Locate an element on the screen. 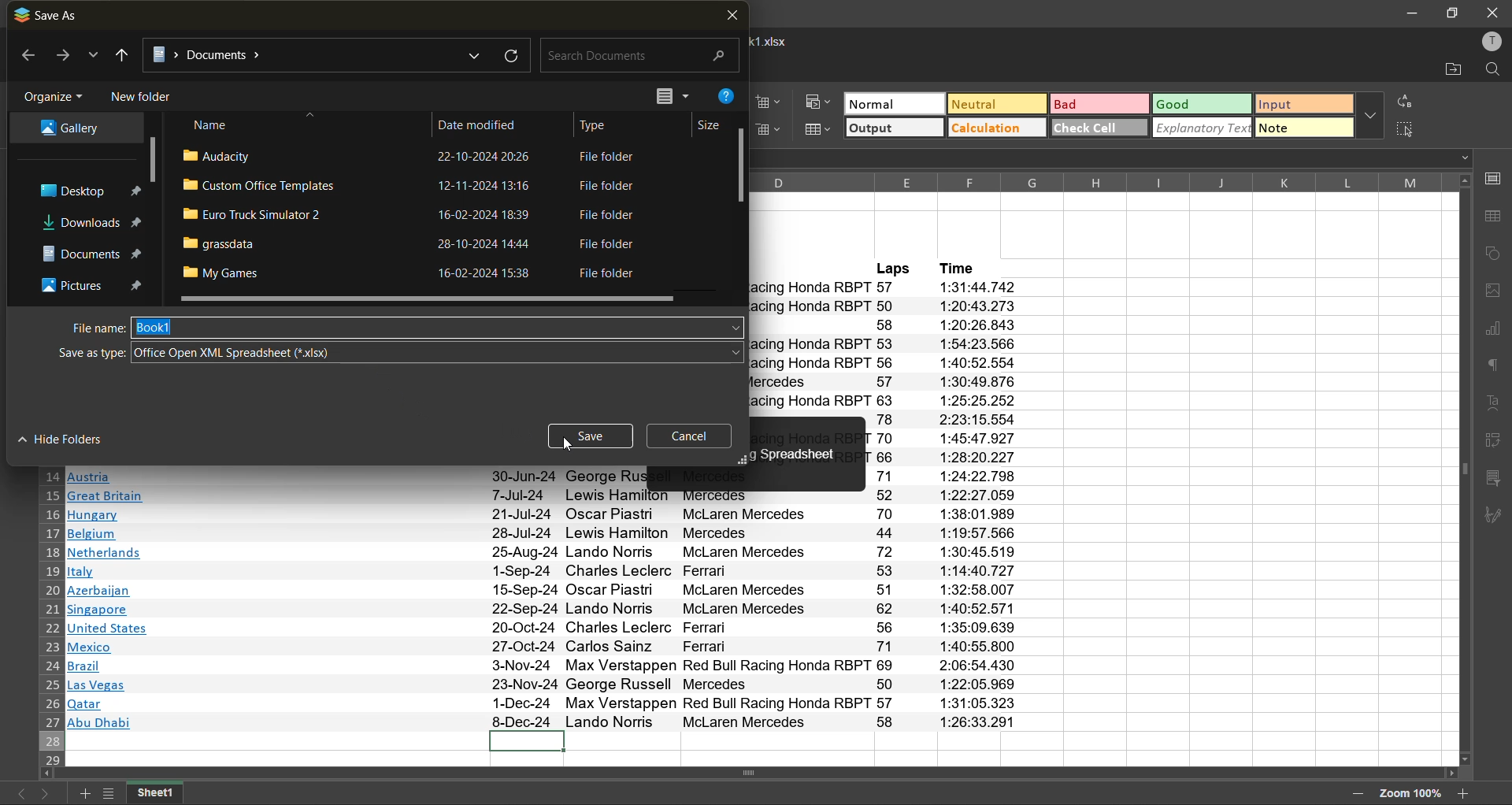 This screenshot has height=805, width=1512. save as is located at coordinates (51, 15).